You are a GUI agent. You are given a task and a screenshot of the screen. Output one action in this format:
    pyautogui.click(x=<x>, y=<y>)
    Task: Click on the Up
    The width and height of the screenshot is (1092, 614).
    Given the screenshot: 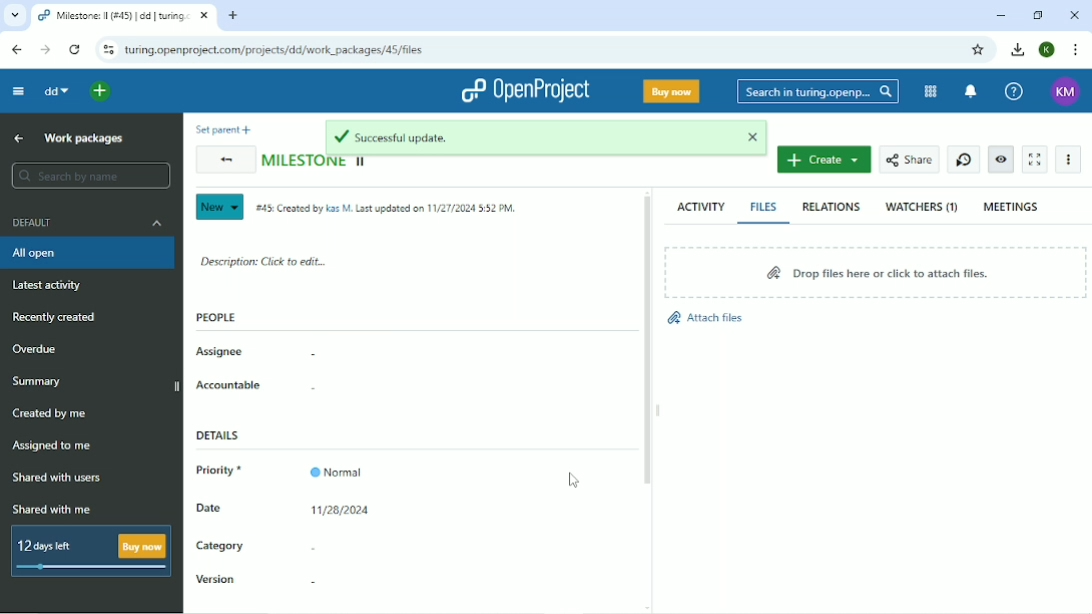 What is the action you would take?
    pyautogui.click(x=20, y=138)
    